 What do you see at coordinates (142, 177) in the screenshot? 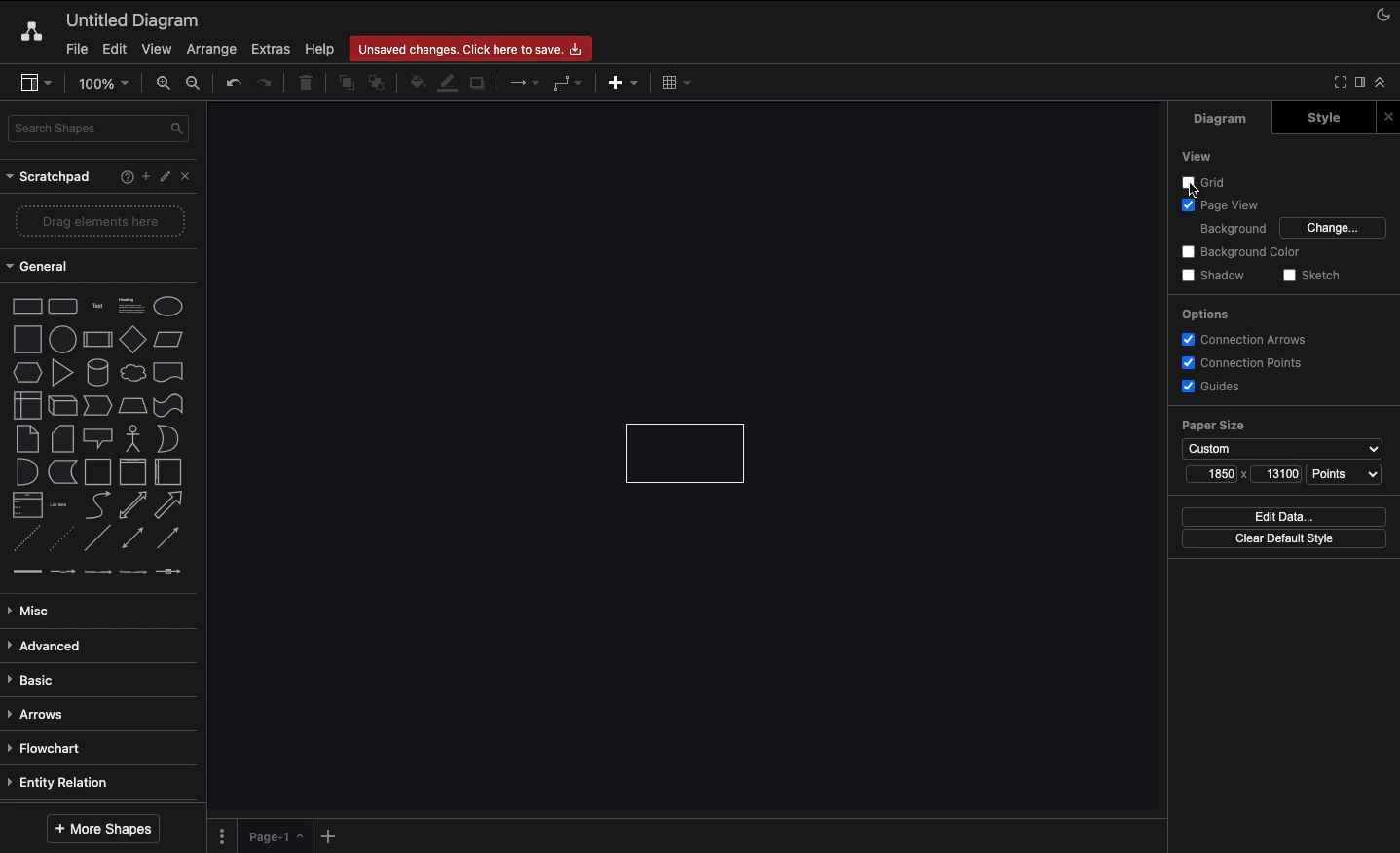
I see `Add` at bounding box center [142, 177].